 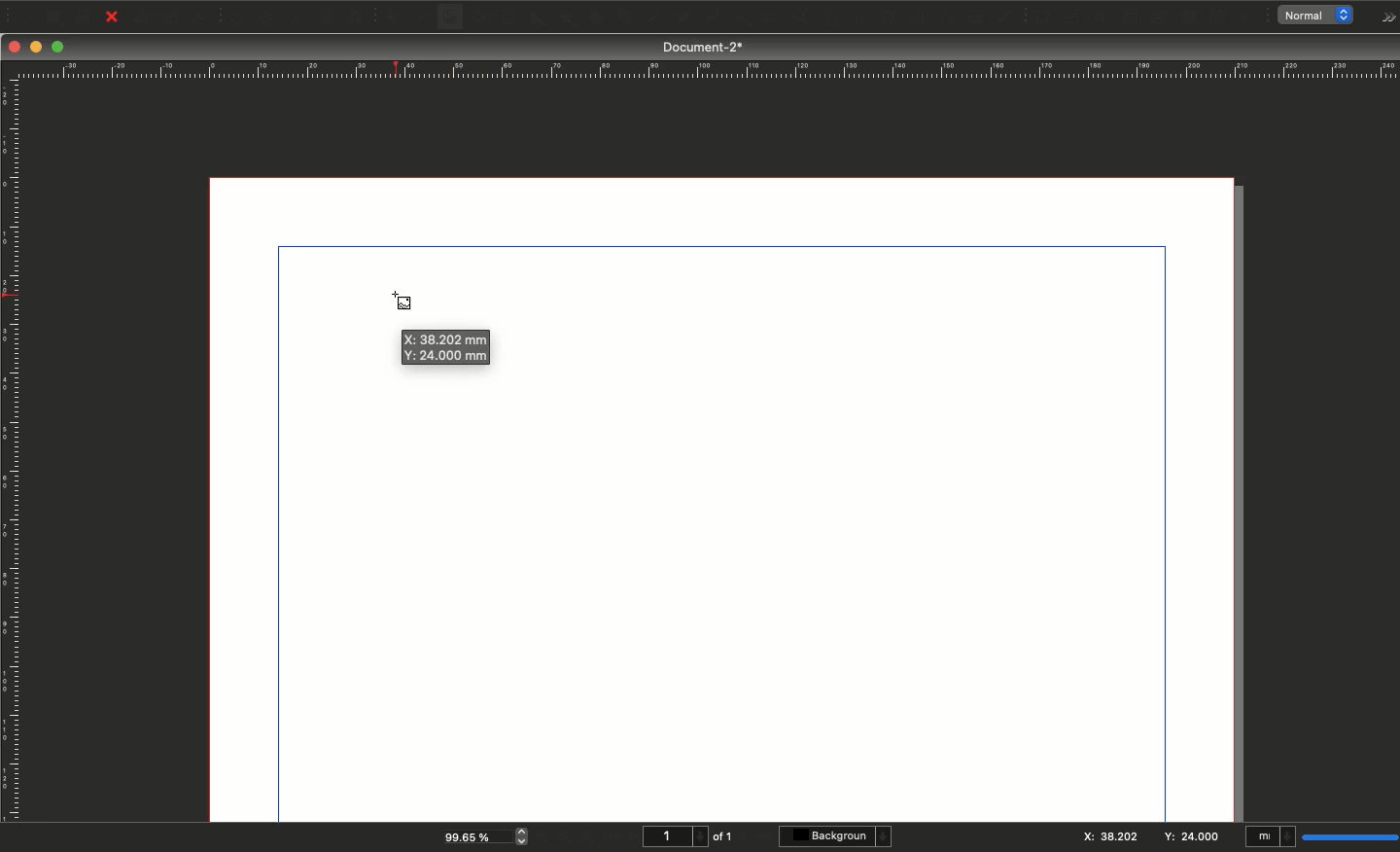 I want to click on Table, so click(x=507, y=18).